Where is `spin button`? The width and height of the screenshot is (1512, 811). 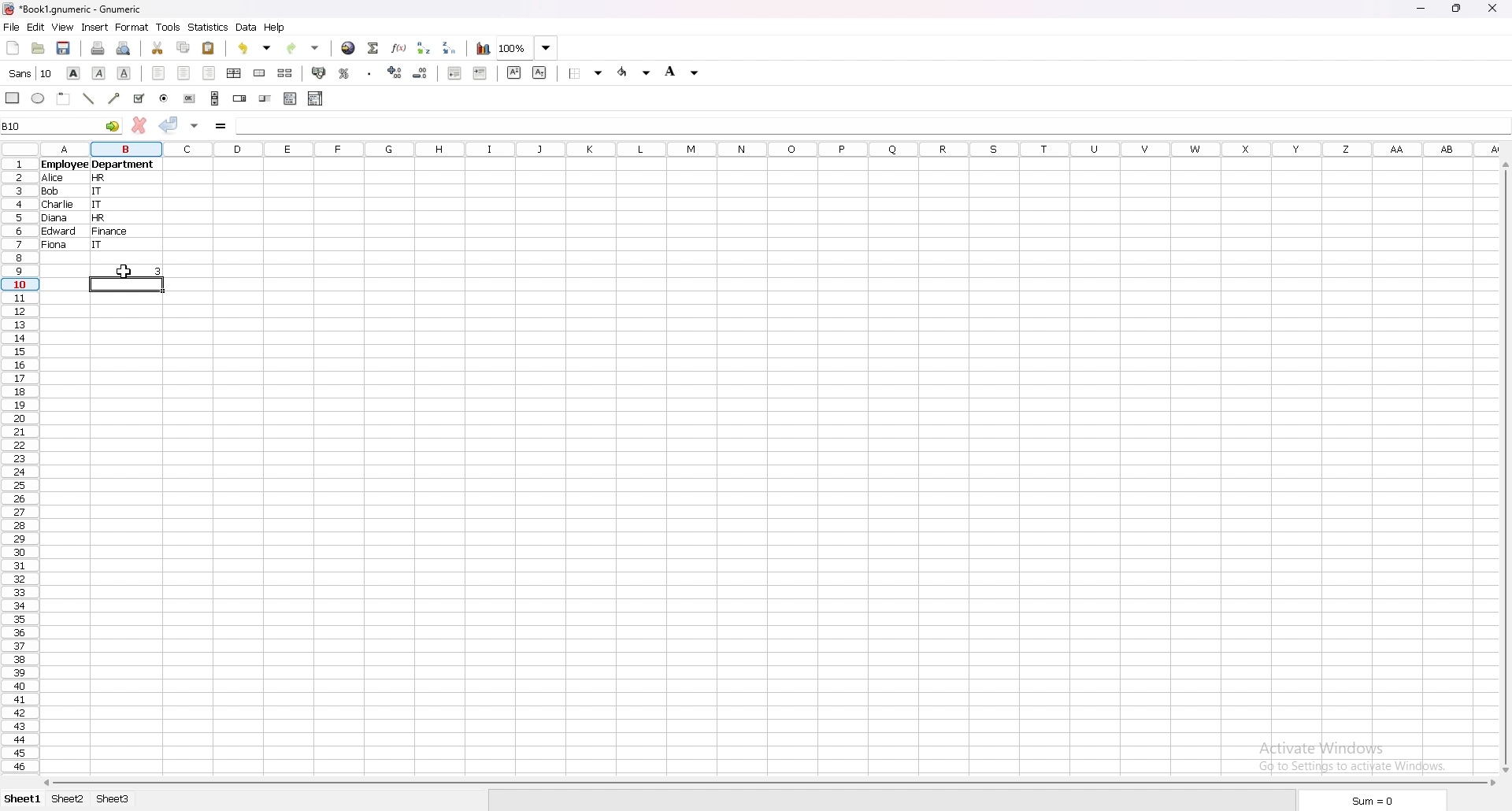 spin button is located at coordinates (239, 98).